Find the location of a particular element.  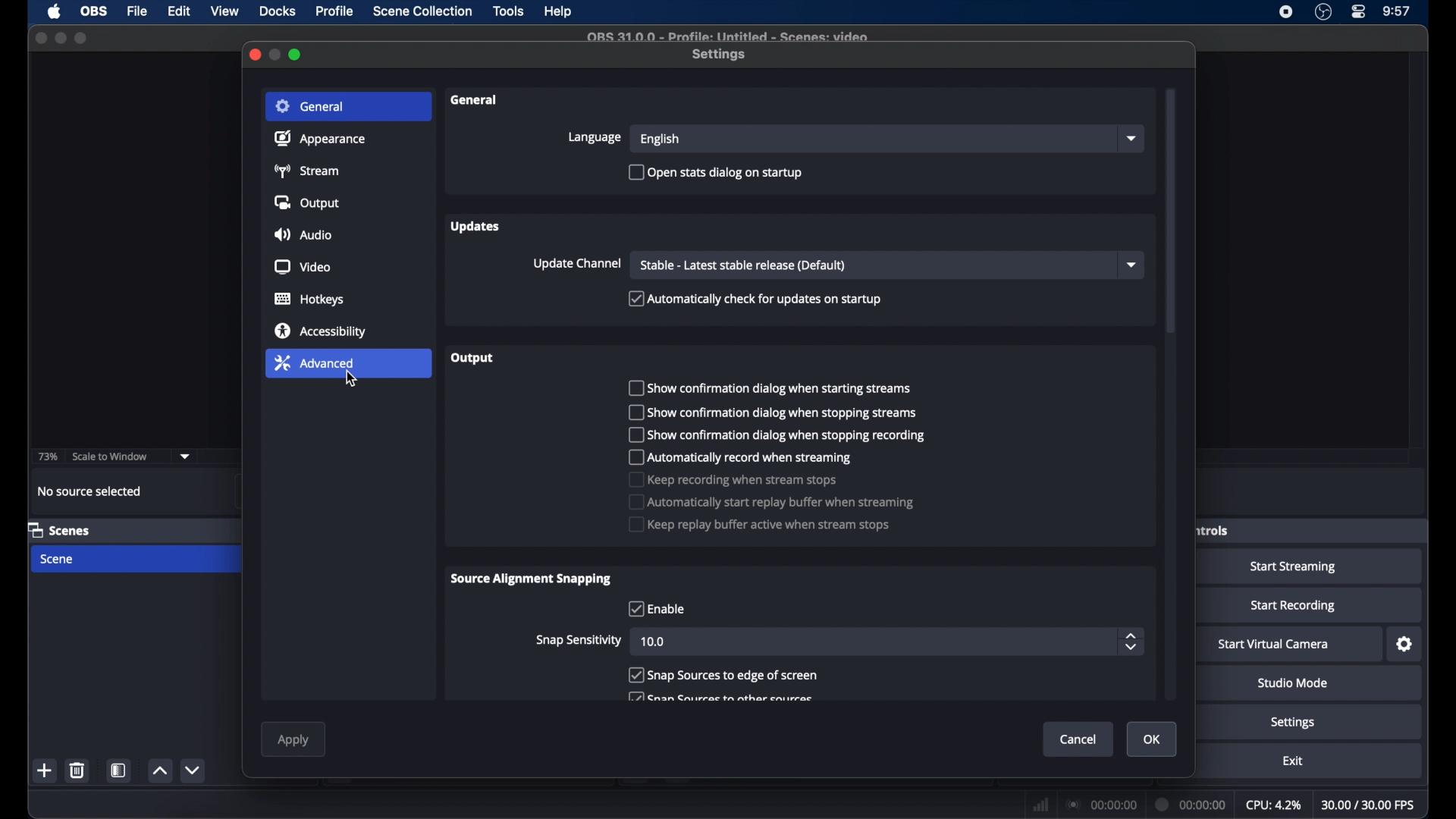

help is located at coordinates (559, 11).